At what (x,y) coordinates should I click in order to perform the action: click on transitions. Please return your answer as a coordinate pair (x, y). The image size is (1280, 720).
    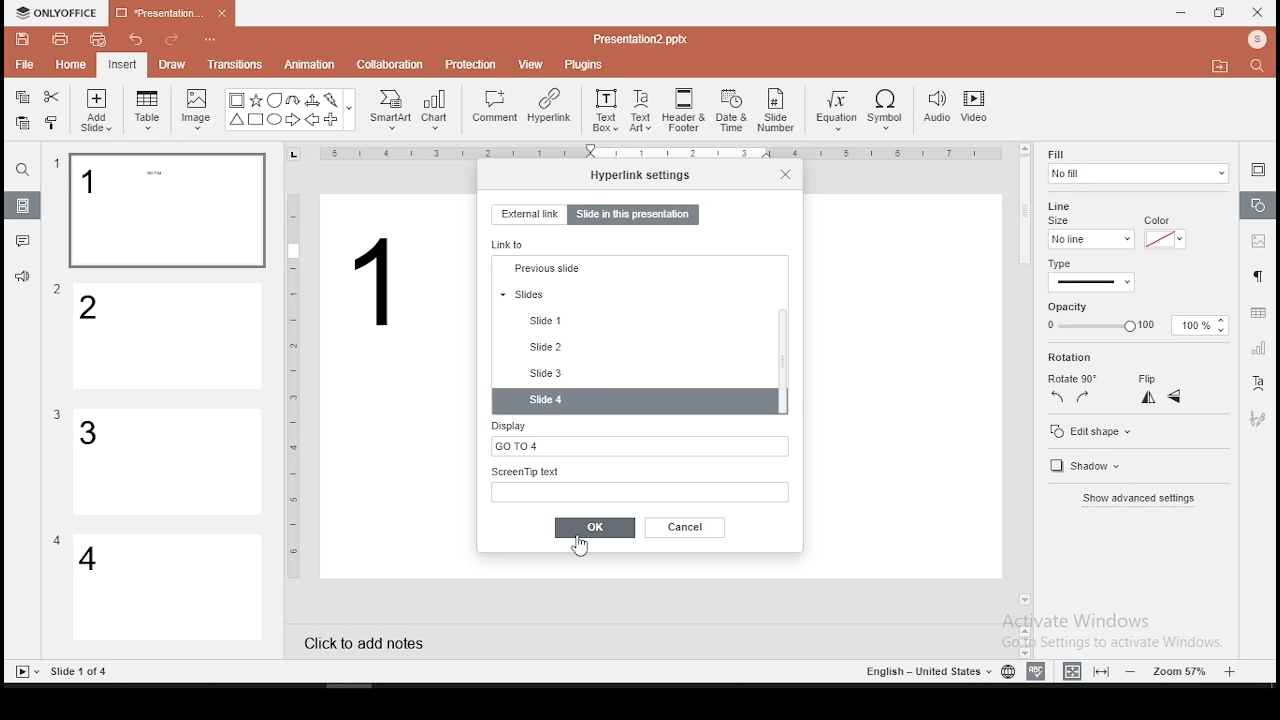
    Looking at the image, I should click on (234, 64).